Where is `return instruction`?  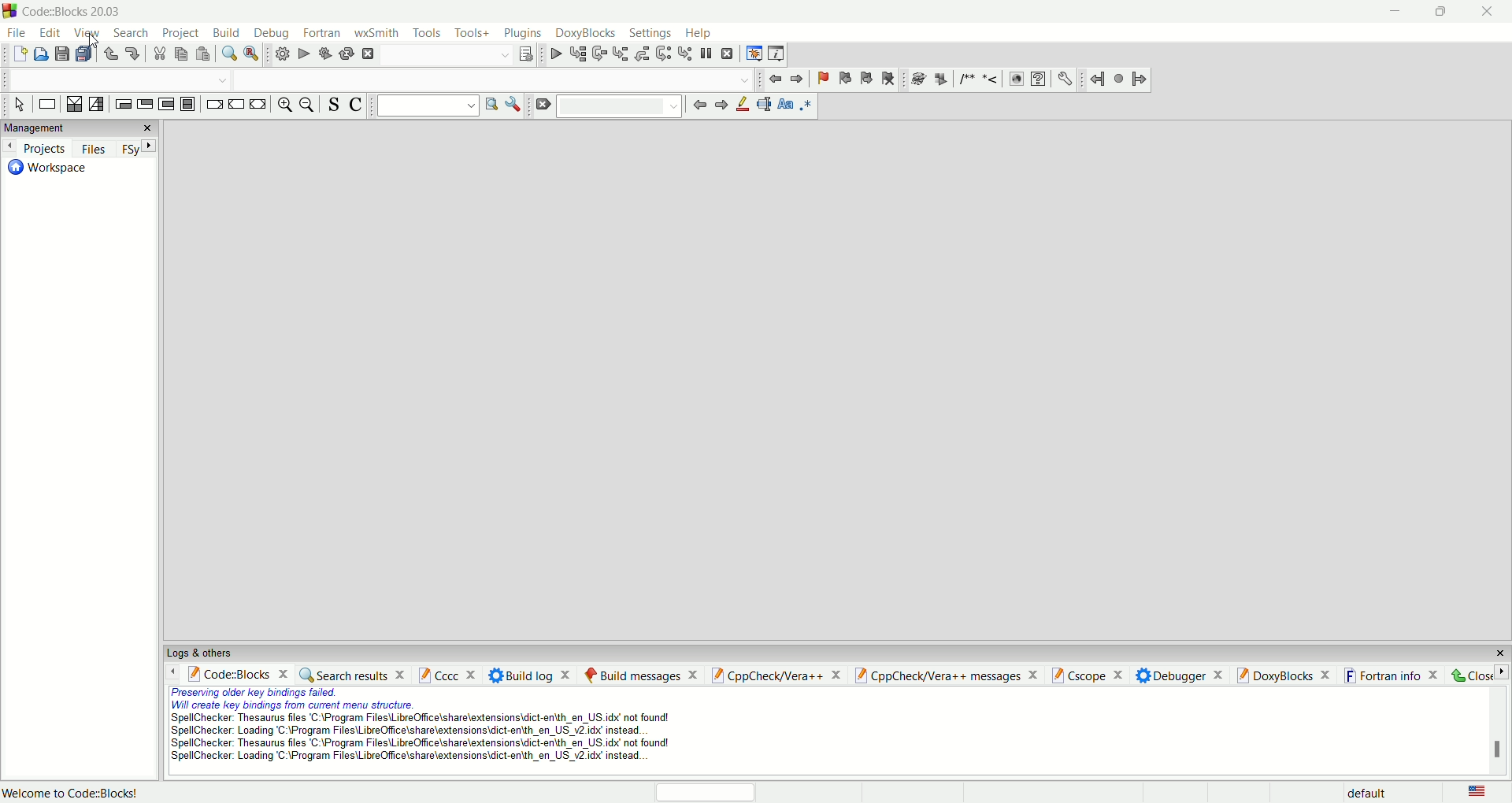
return instruction is located at coordinates (259, 104).